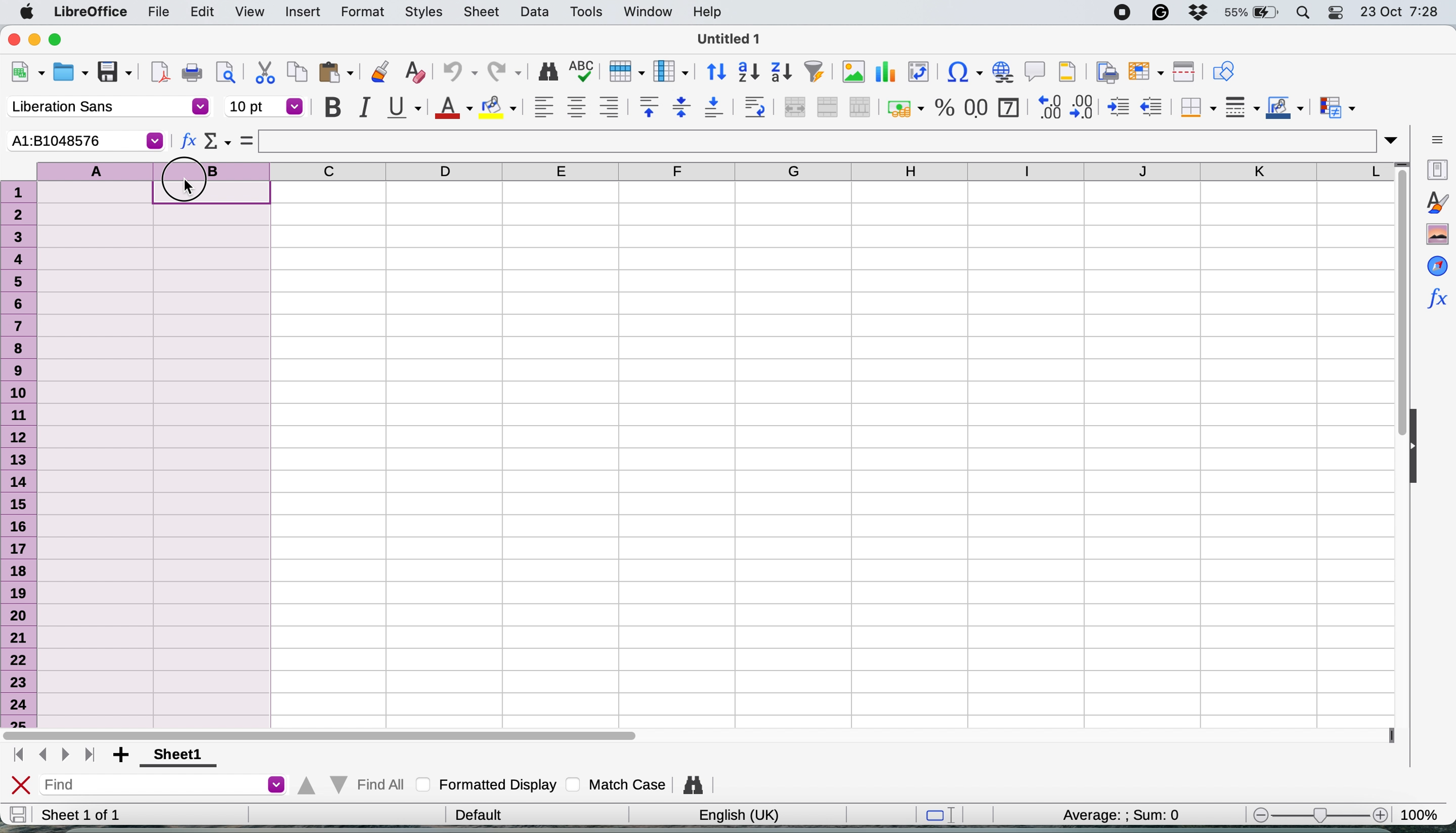 The width and height of the screenshot is (1456, 833). Describe the element at coordinates (18, 814) in the screenshot. I see `save` at that location.